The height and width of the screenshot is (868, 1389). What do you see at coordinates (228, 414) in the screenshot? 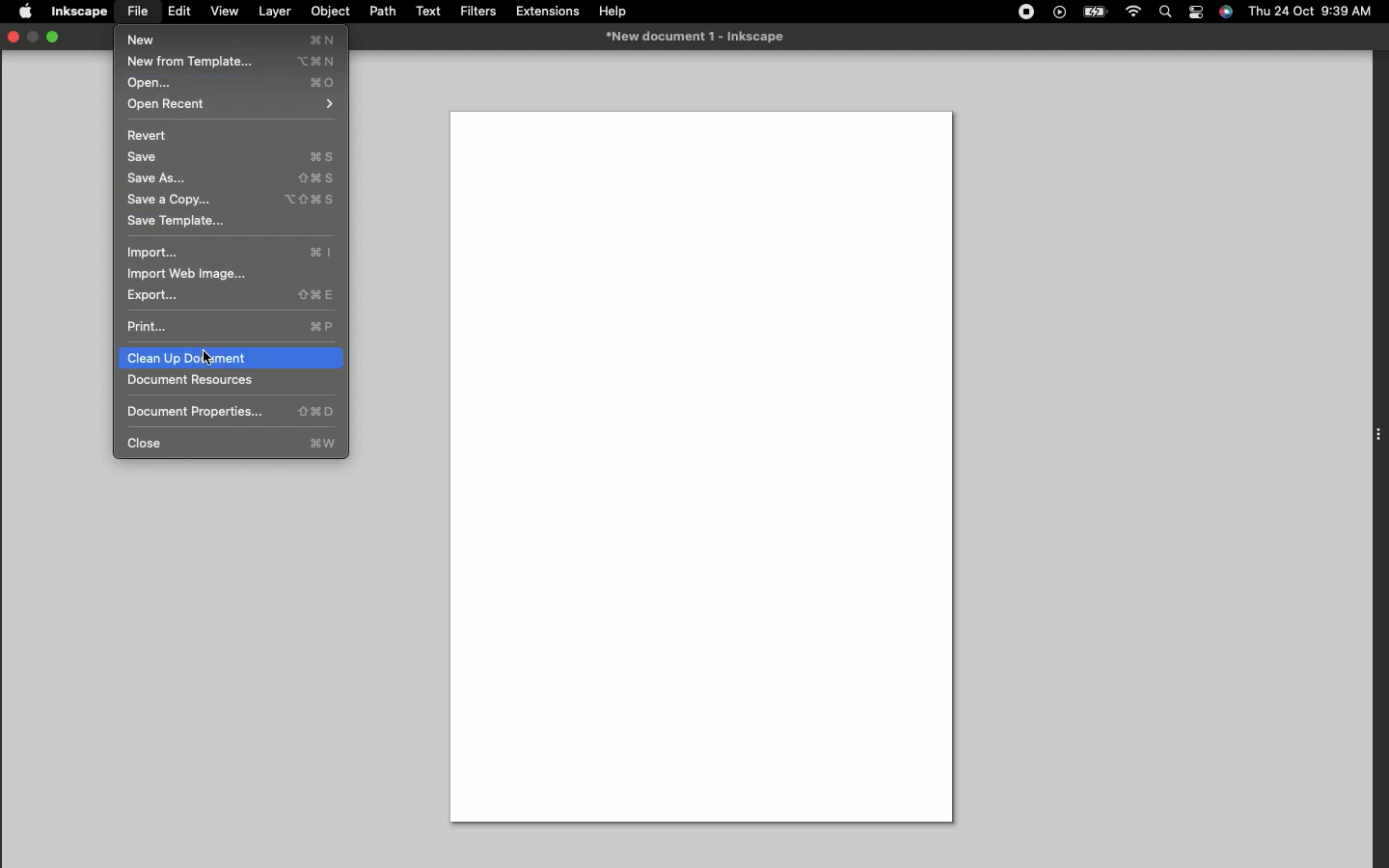
I see `Document properties` at bounding box center [228, 414].